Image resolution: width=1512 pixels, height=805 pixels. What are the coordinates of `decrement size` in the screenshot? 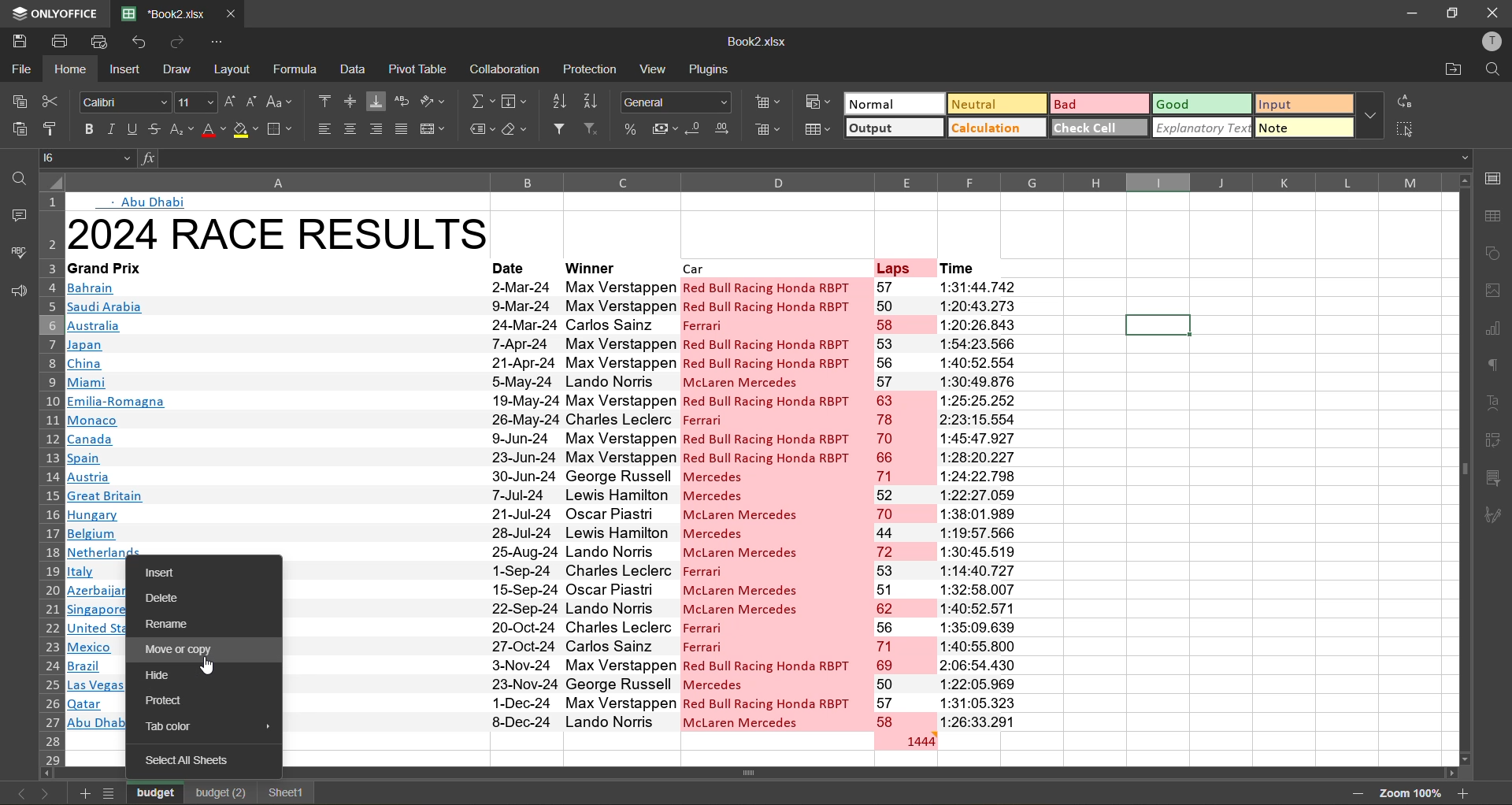 It's located at (254, 102).